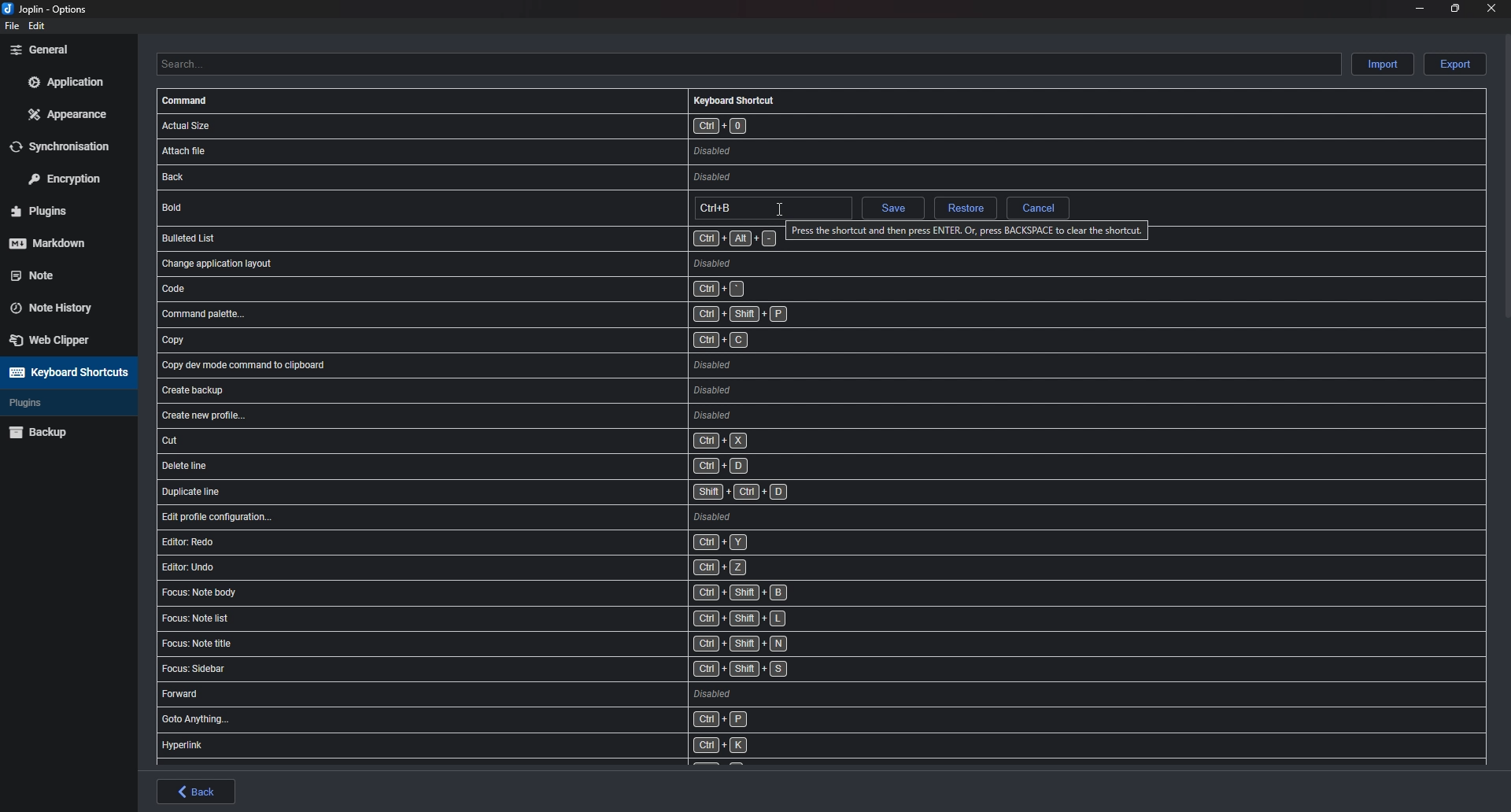  What do you see at coordinates (526, 542) in the screenshot?
I see `shortcut` at bounding box center [526, 542].